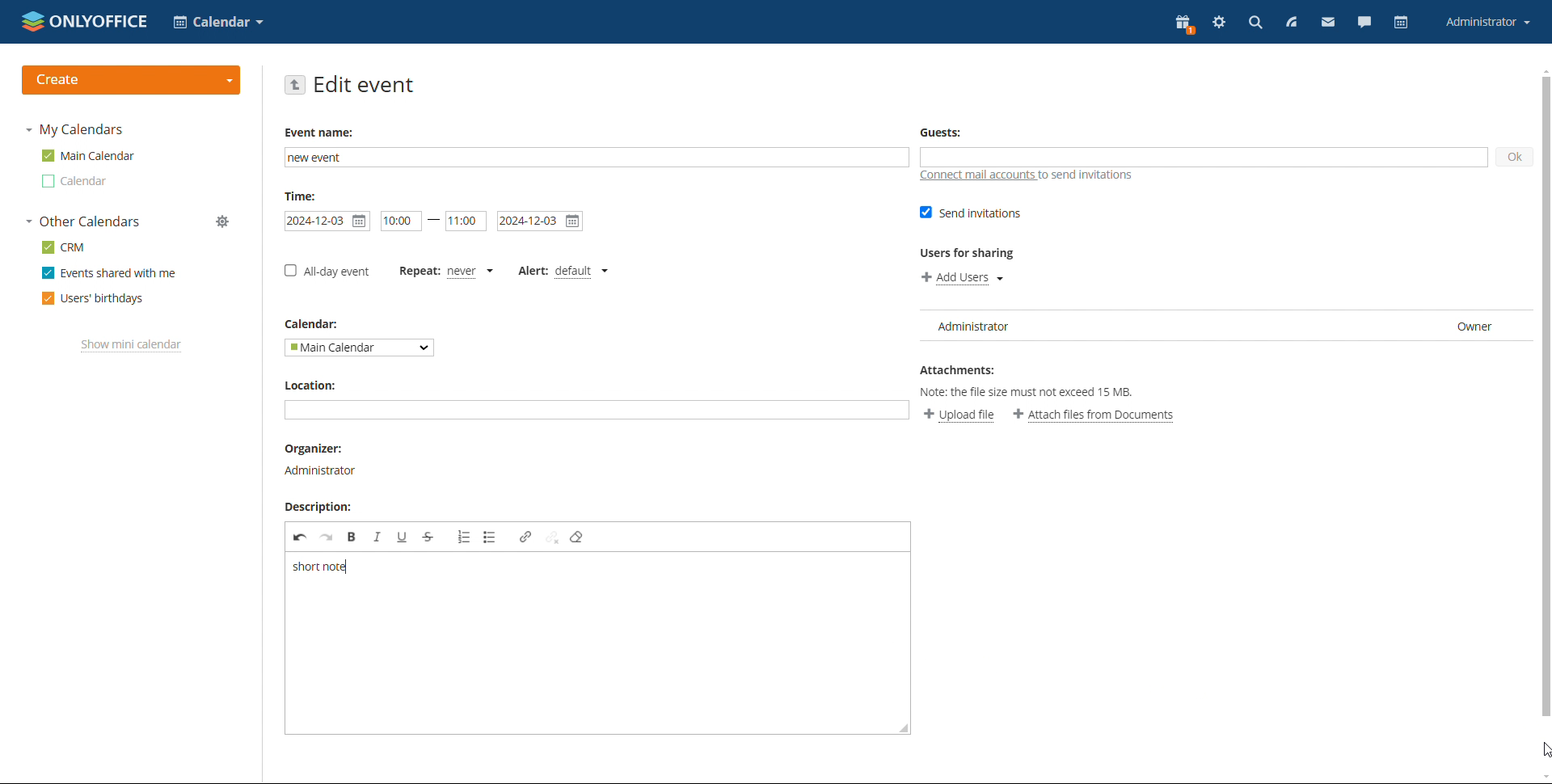 This screenshot has width=1552, height=784. Describe the element at coordinates (1040, 392) in the screenshot. I see `Note: the file size must not exceed 15 MB.` at that location.